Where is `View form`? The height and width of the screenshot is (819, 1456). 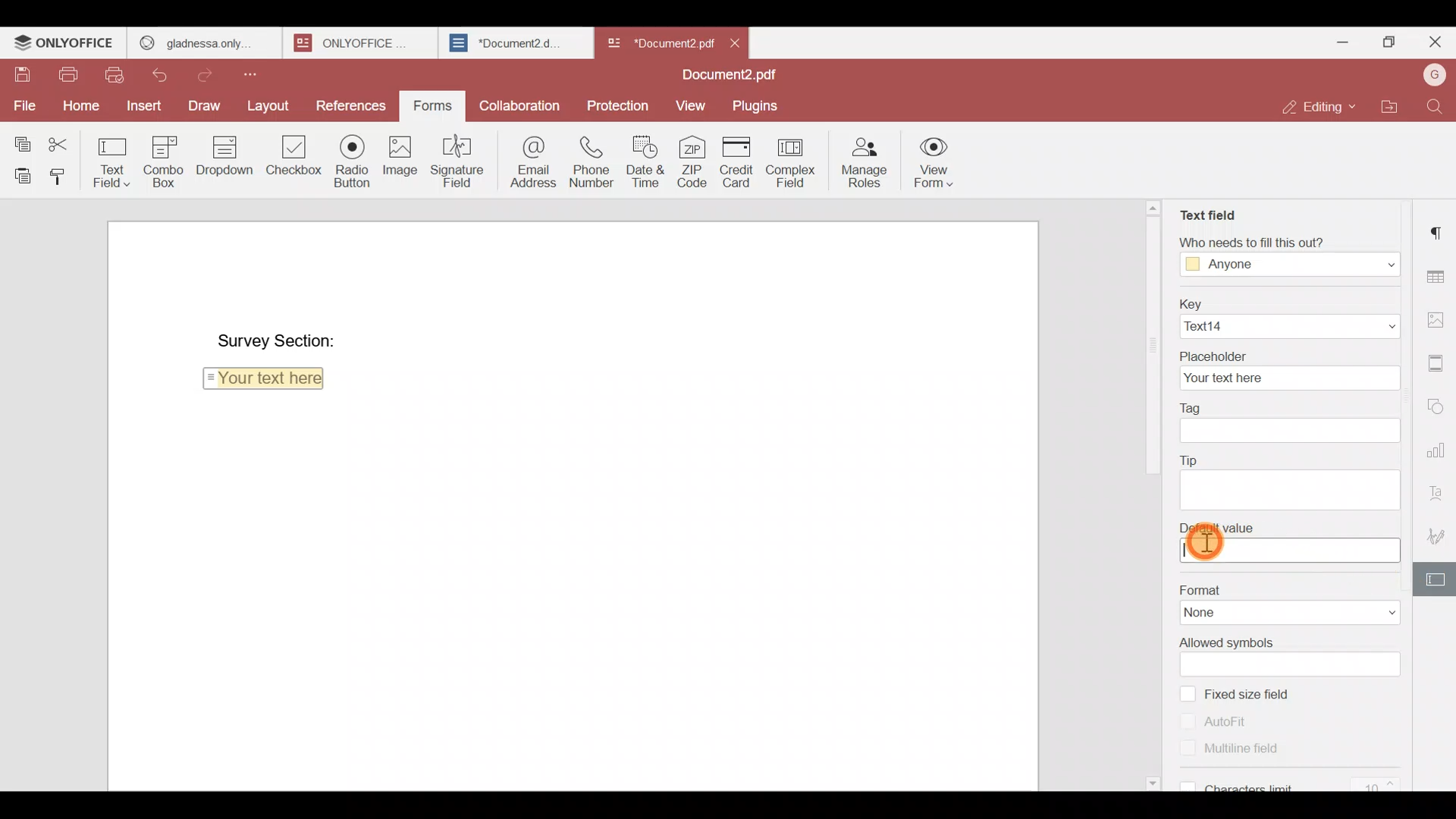
View form is located at coordinates (931, 162).